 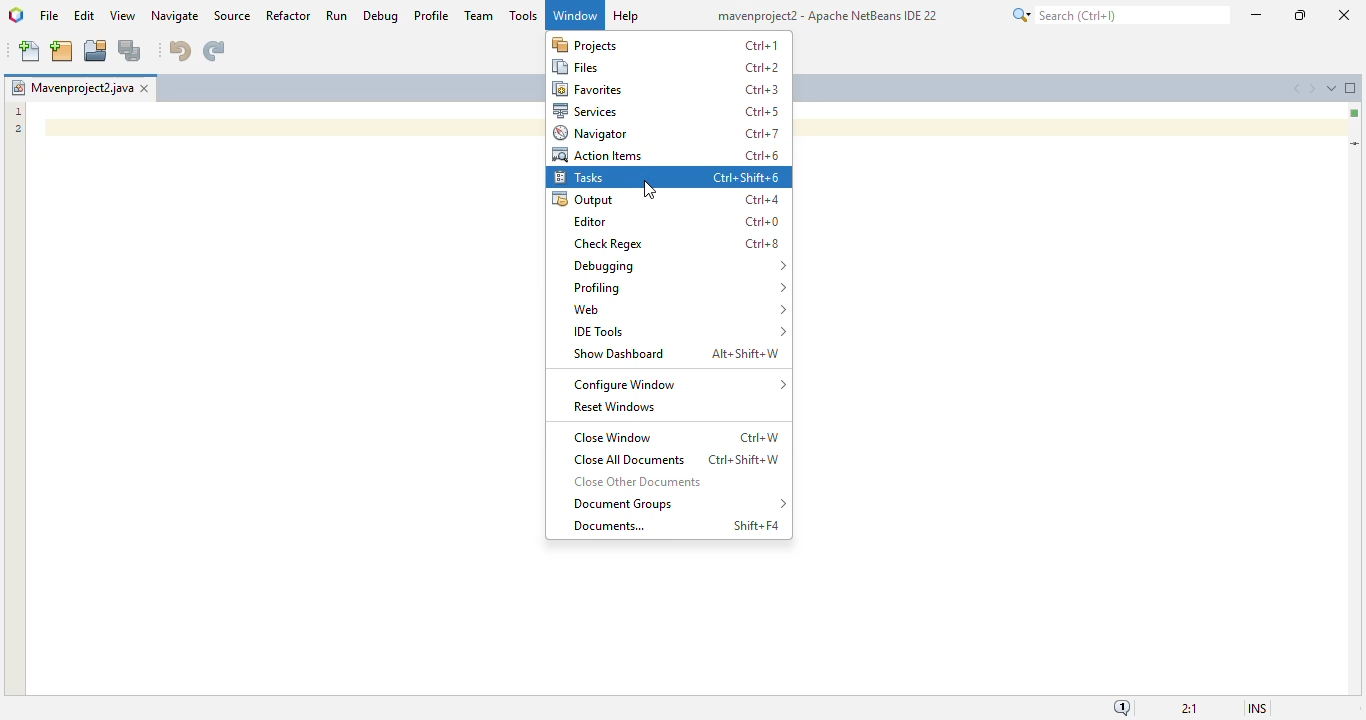 What do you see at coordinates (32, 51) in the screenshot?
I see `new file` at bounding box center [32, 51].